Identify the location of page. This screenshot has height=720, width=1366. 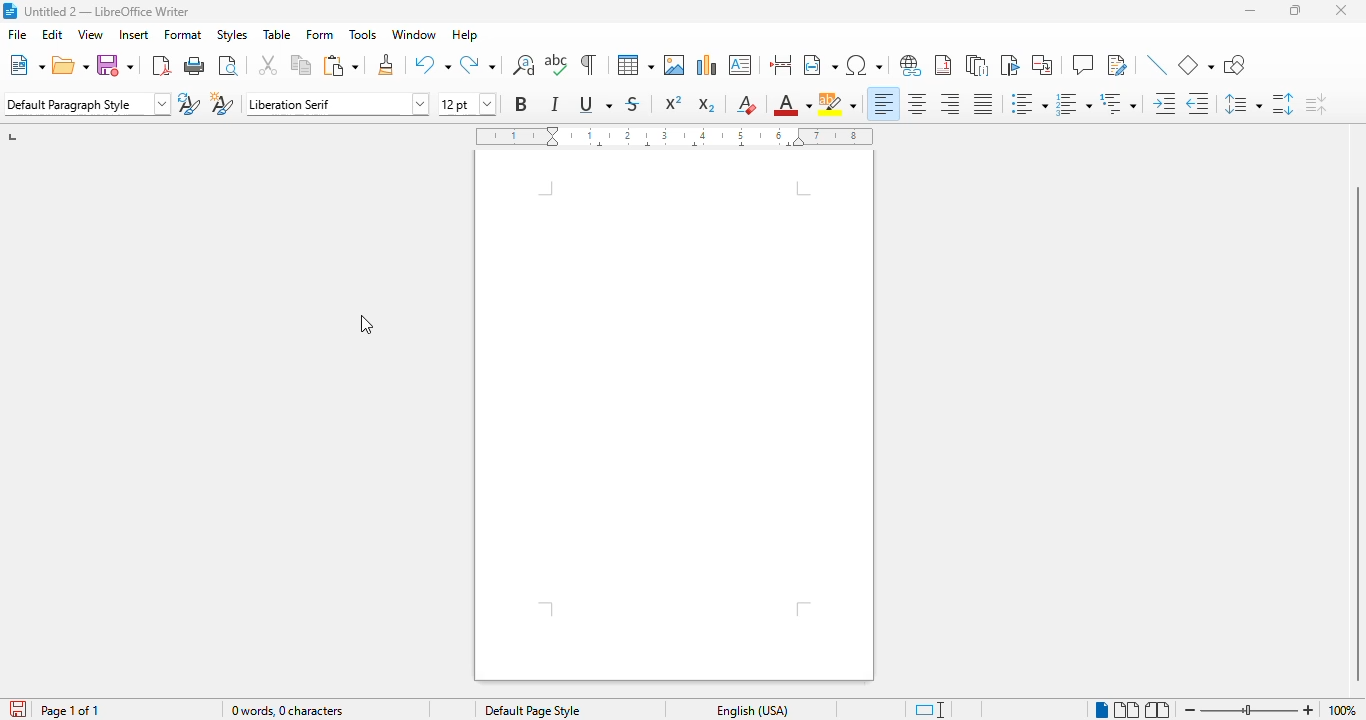
(674, 415).